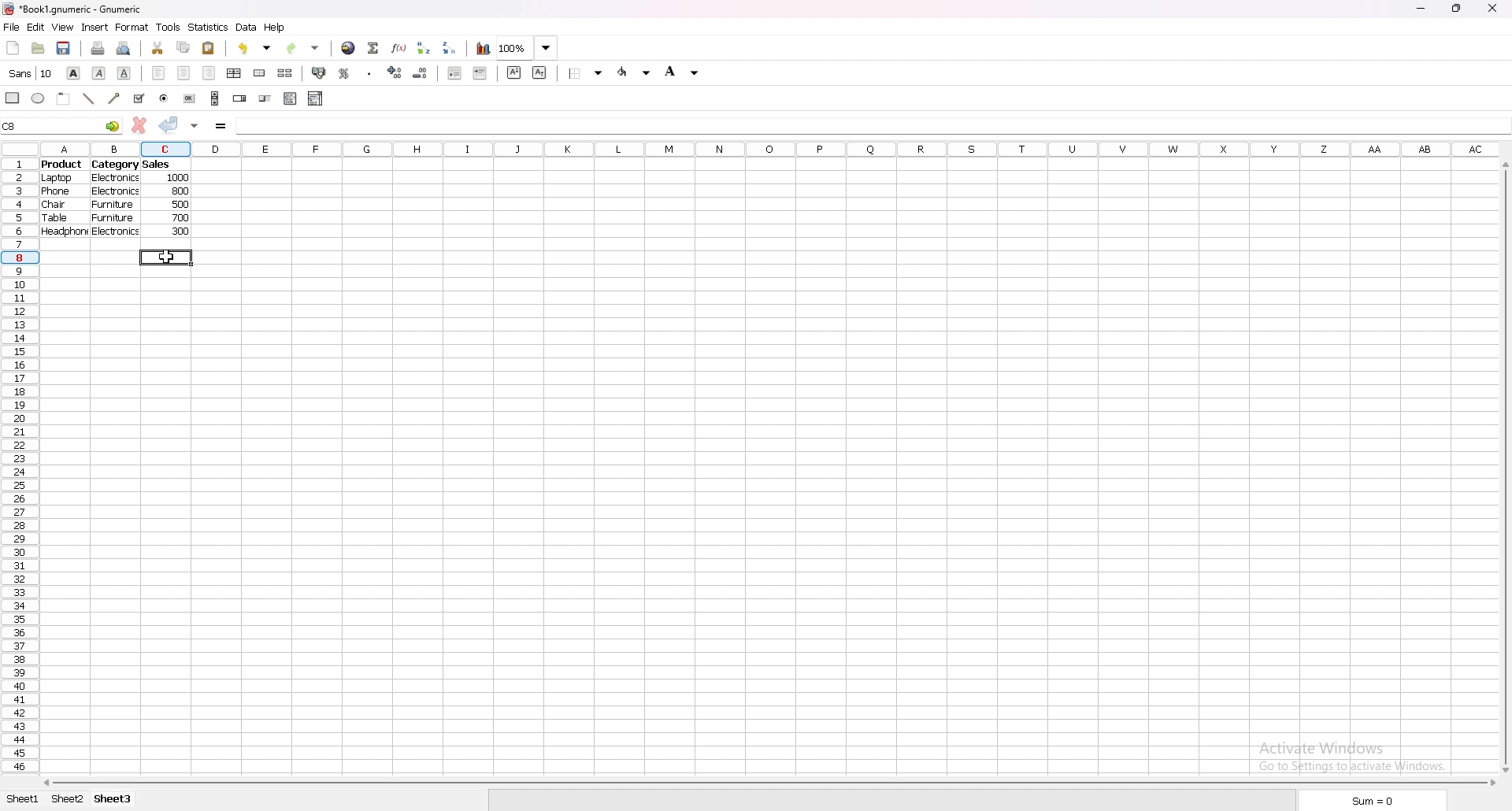 This screenshot has height=811, width=1512. I want to click on statistics, so click(209, 27).